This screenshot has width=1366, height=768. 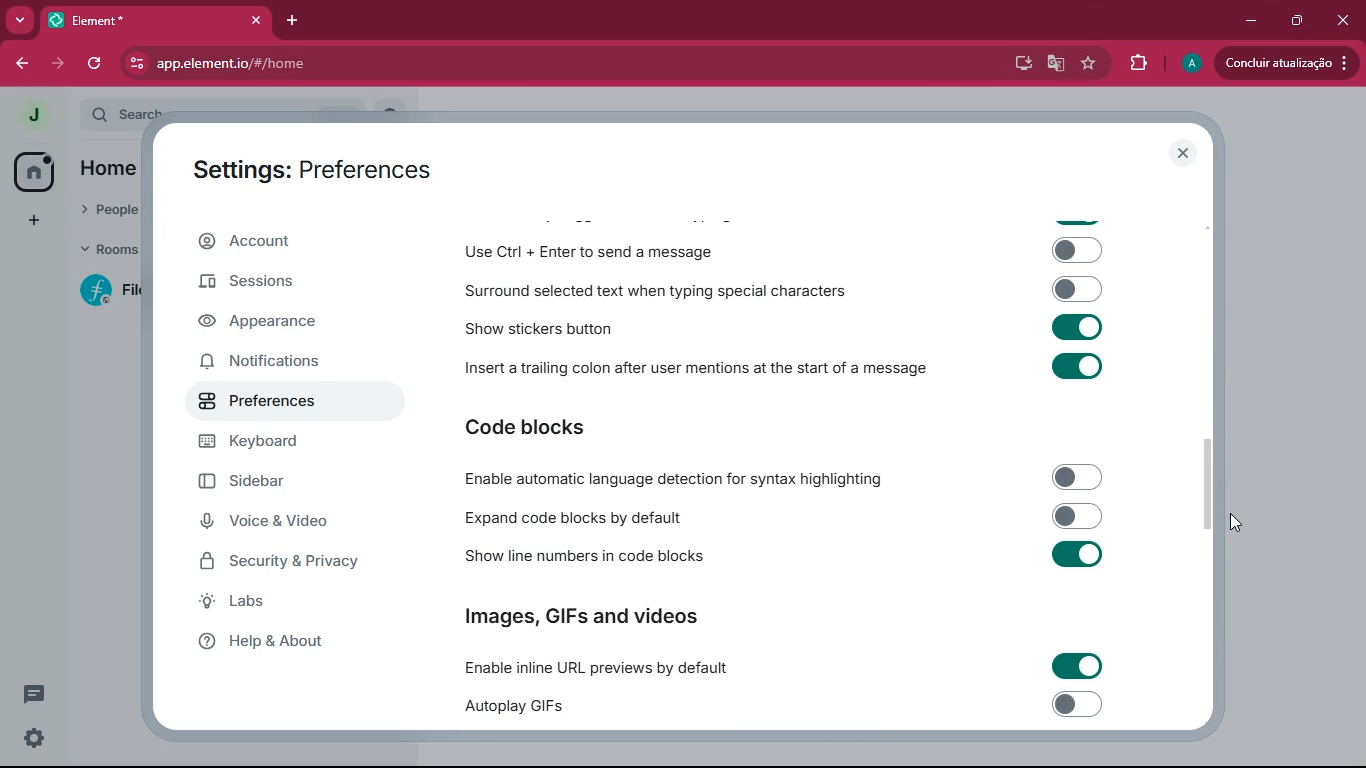 What do you see at coordinates (118, 292) in the screenshot?
I see `filecoin lotus implementation ` at bounding box center [118, 292].